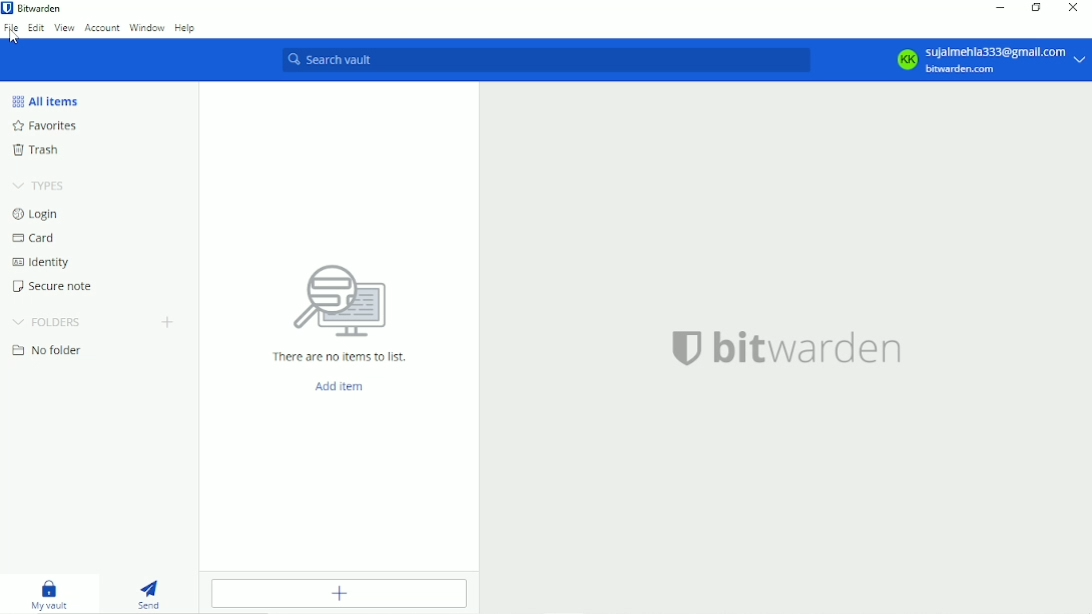 This screenshot has width=1092, height=614. I want to click on Folders, so click(49, 323).